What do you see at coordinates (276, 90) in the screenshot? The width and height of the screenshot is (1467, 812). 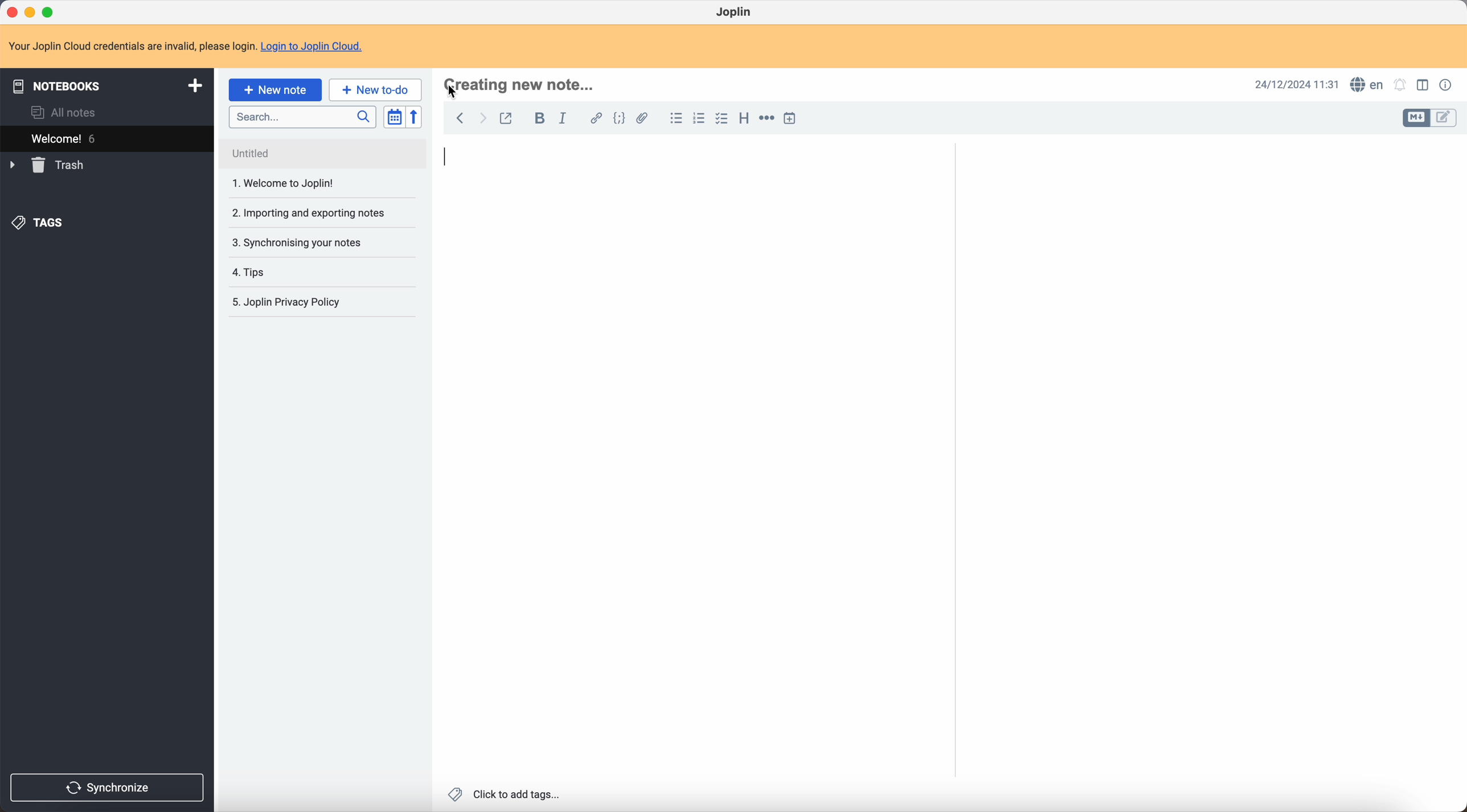 I see `click on new note` at bounding box center [276, 90].